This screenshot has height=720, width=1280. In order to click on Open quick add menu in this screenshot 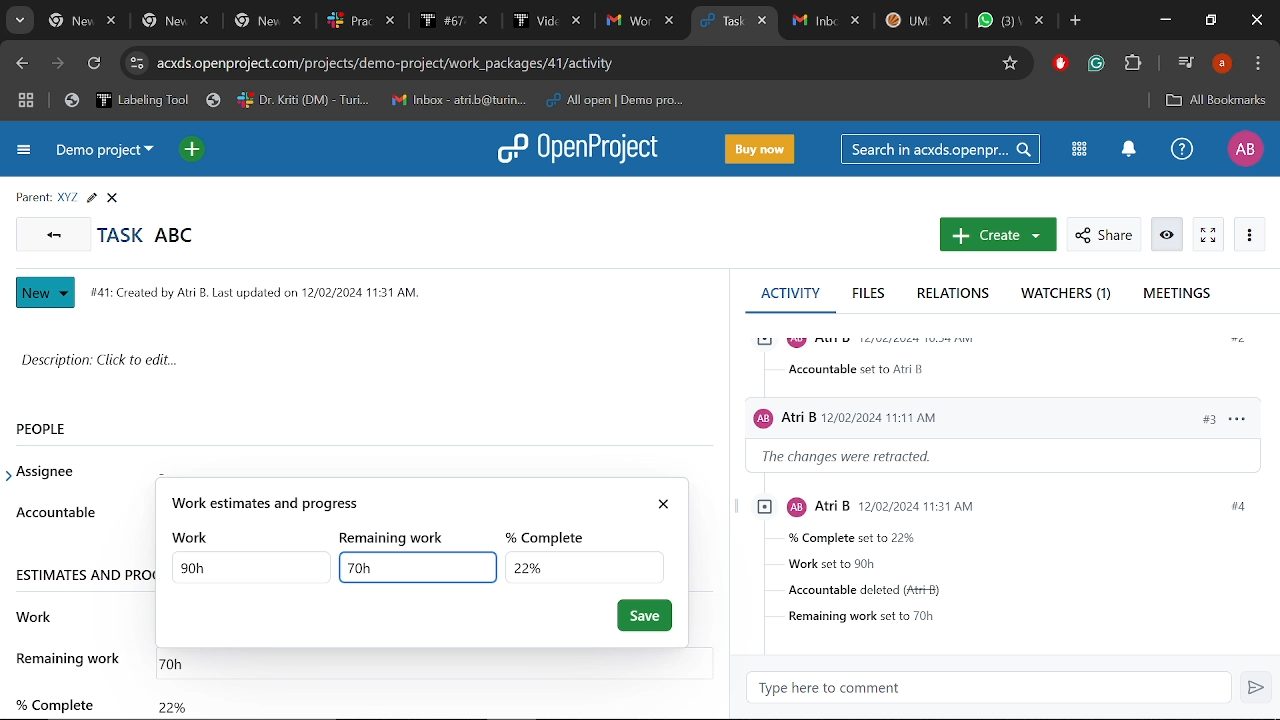, I will do `click(191, 149)`.